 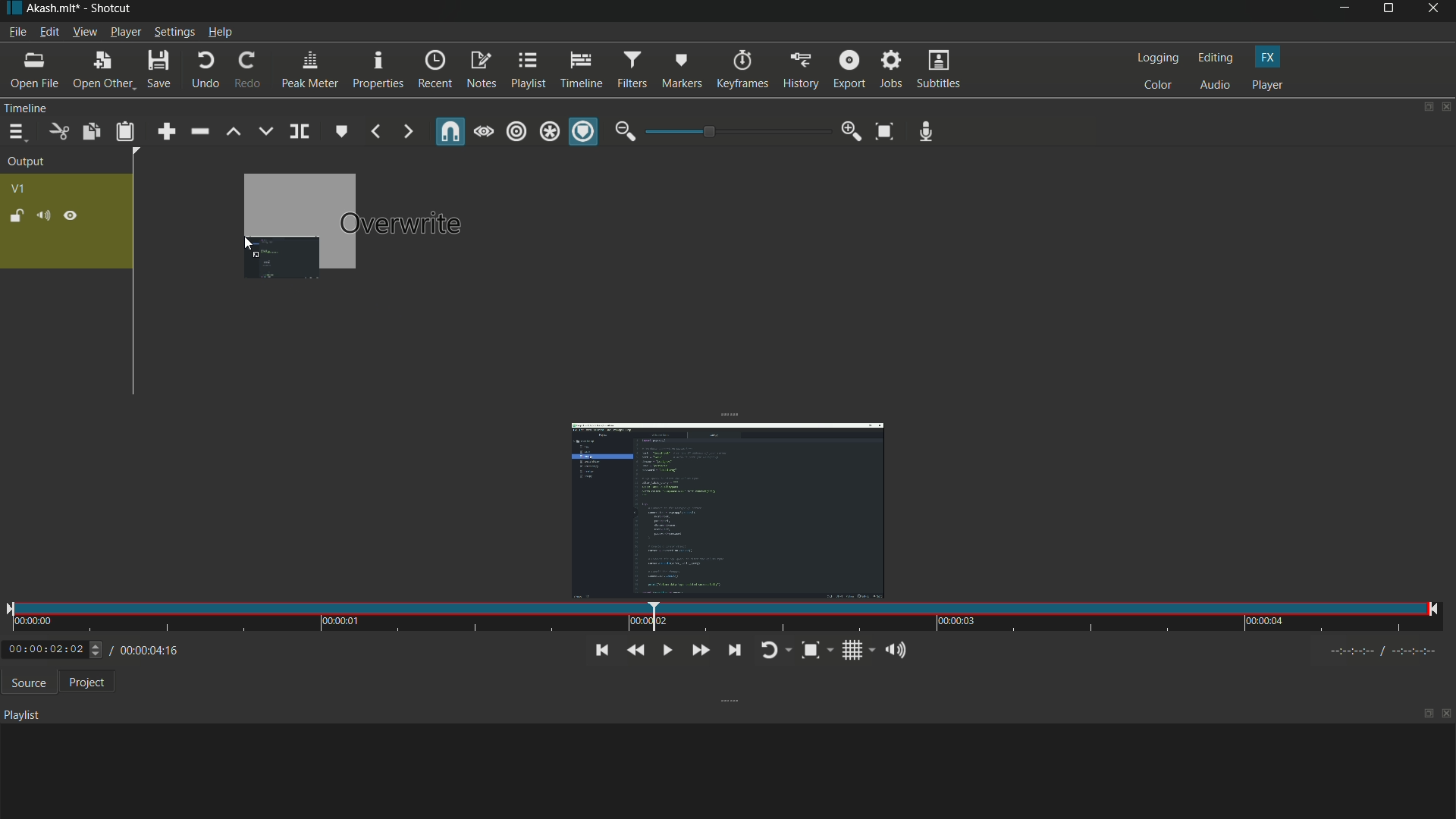 I want to click on cut, so click(x=57, y=132).